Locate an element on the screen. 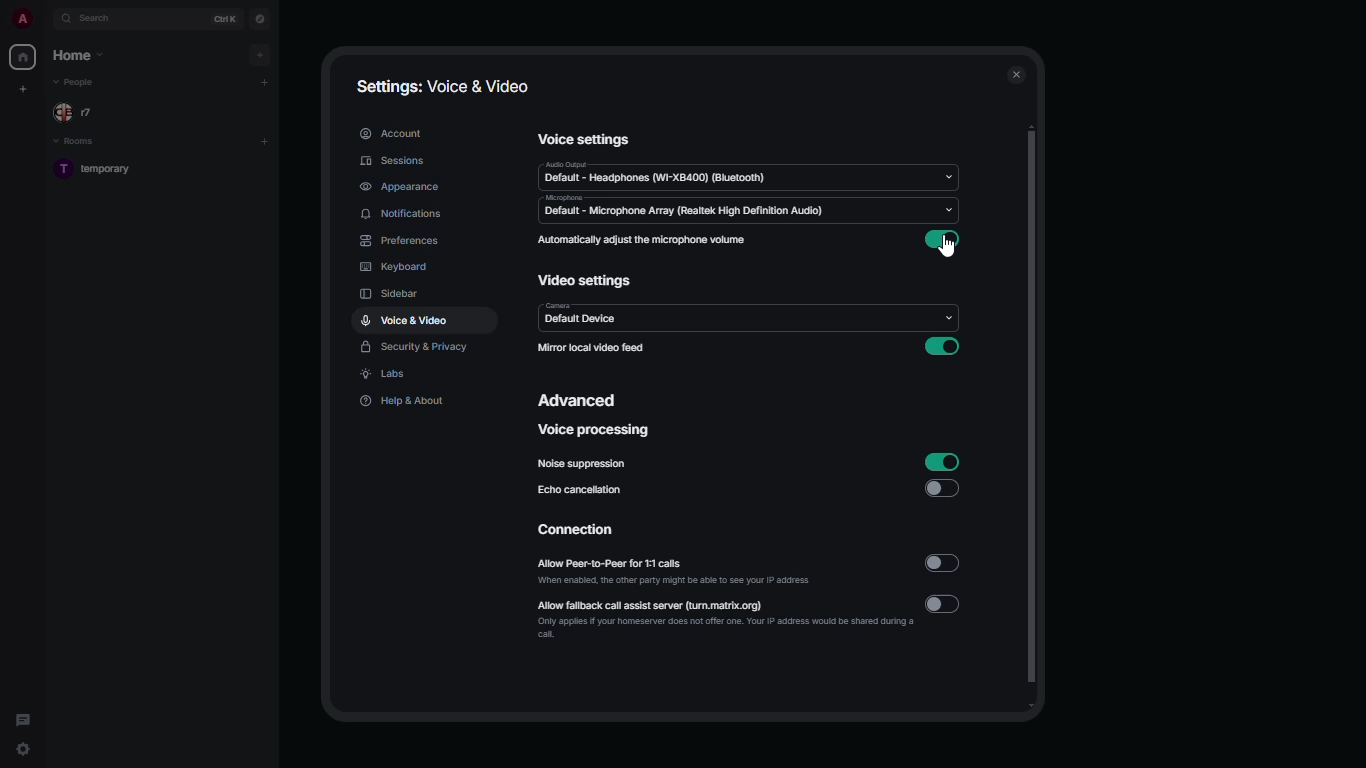  help & about is located at coordinates (406, 402).